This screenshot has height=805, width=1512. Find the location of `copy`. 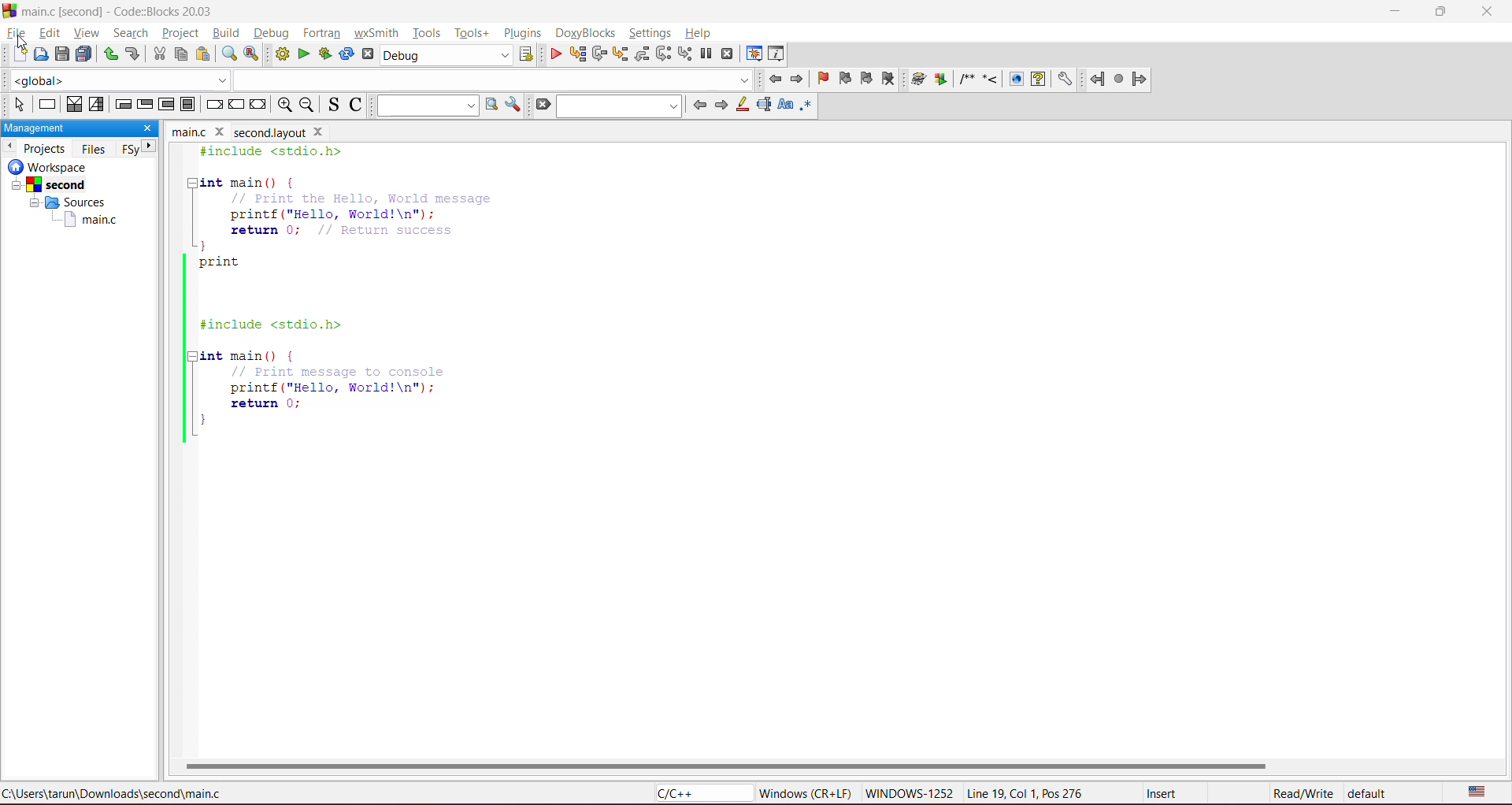

copy is located at coordinates (182, 54).